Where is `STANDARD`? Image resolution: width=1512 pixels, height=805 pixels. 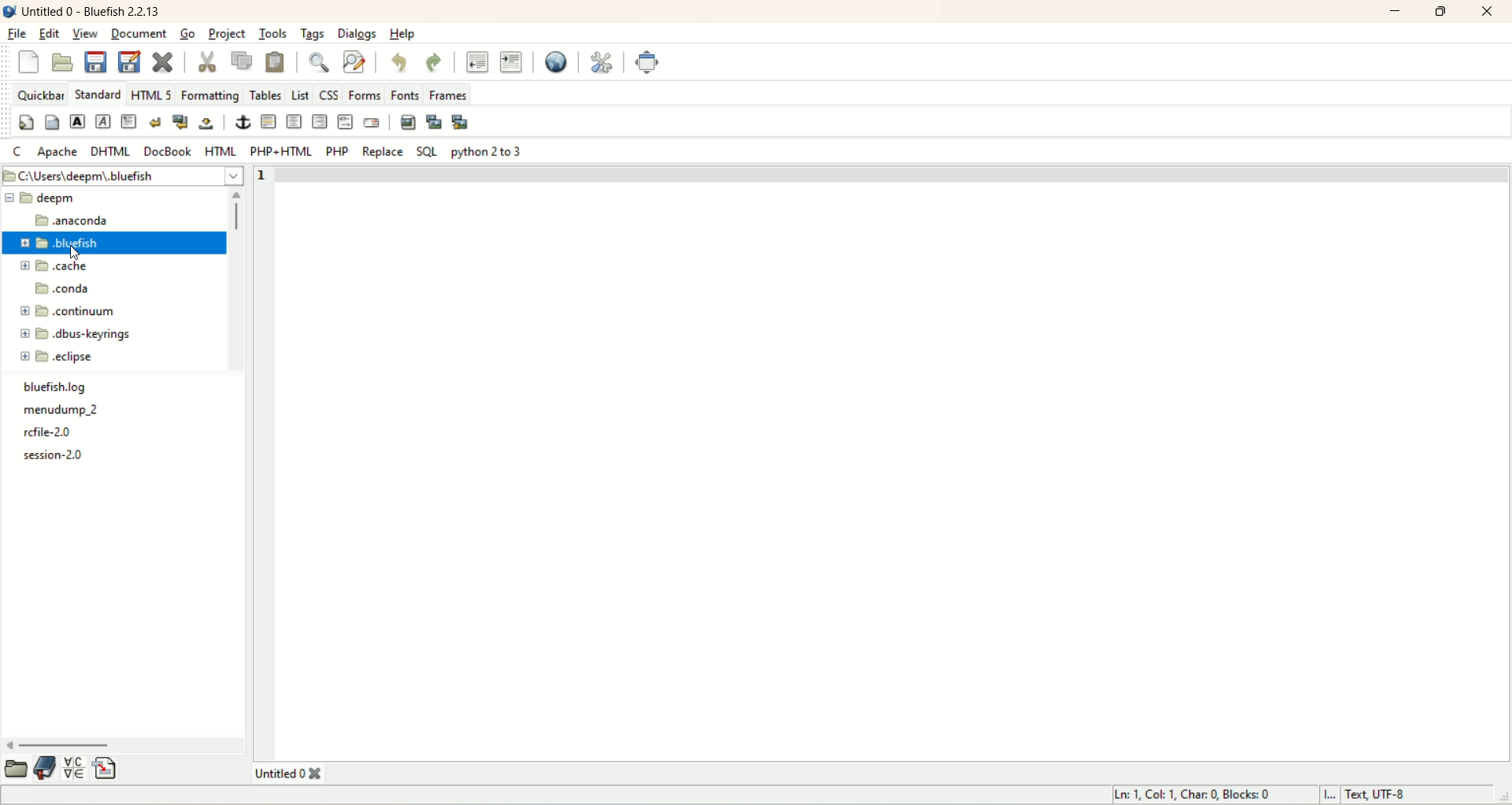
STANDARD is located at coordinates (101, 95).